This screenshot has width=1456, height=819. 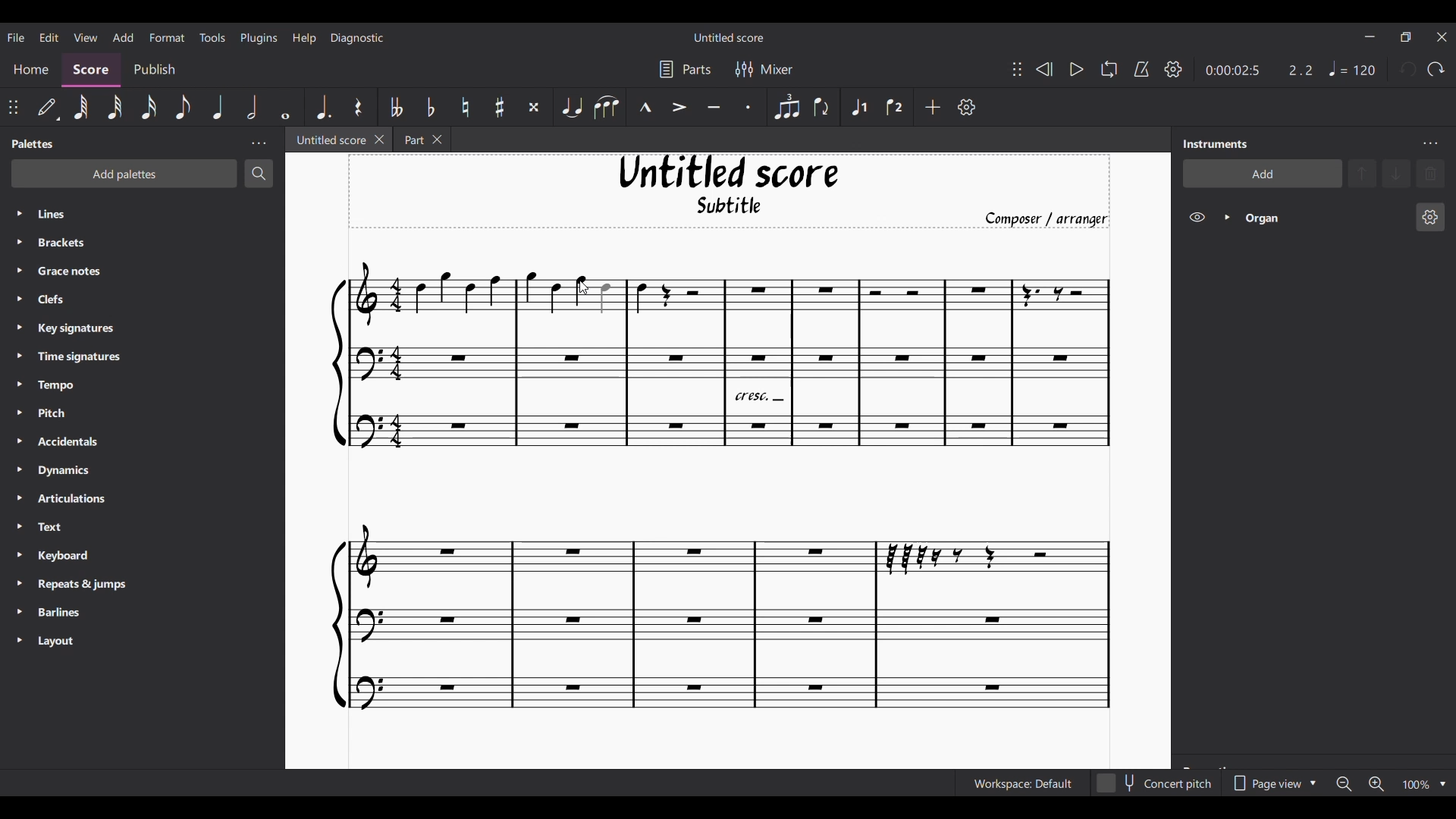 What do you see at coordinates (1044, 70) in the screenshot?
I see `Rewind` at bounding box center [1044, 70].